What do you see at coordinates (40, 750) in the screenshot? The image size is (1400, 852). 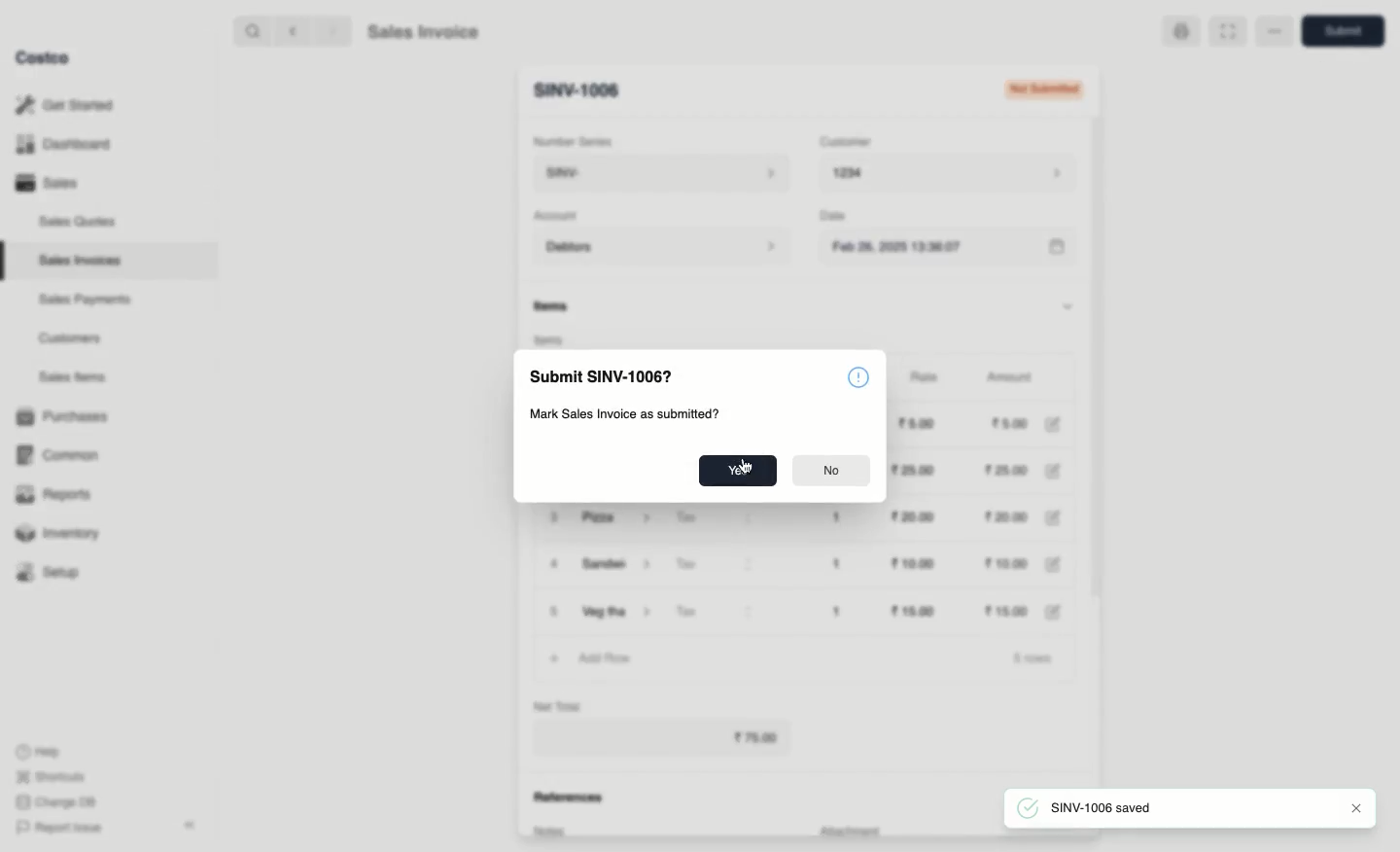 I see `Help` at bounding box center [40, 750].